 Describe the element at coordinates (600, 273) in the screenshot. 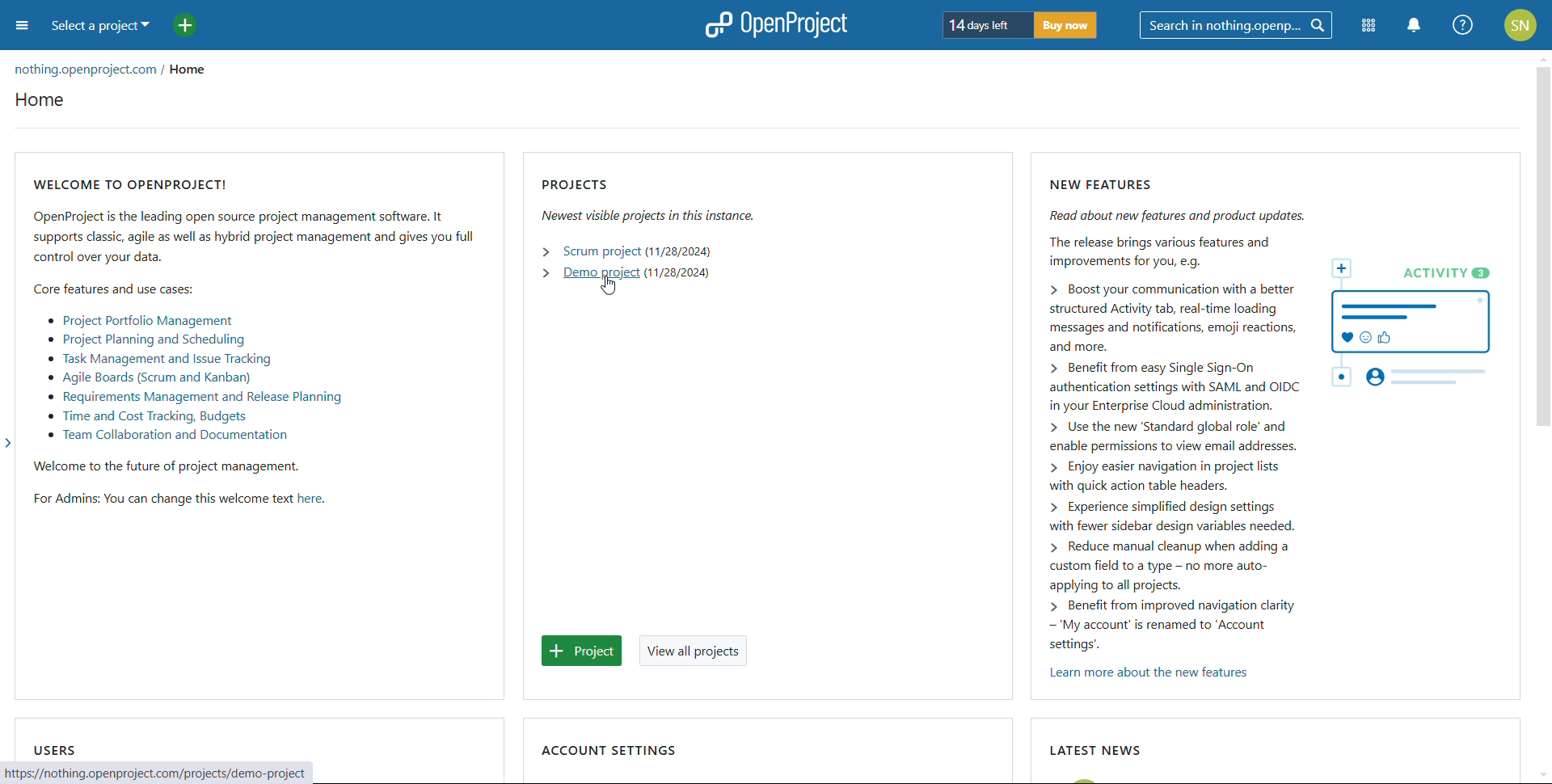

I see `demo project` at that location.